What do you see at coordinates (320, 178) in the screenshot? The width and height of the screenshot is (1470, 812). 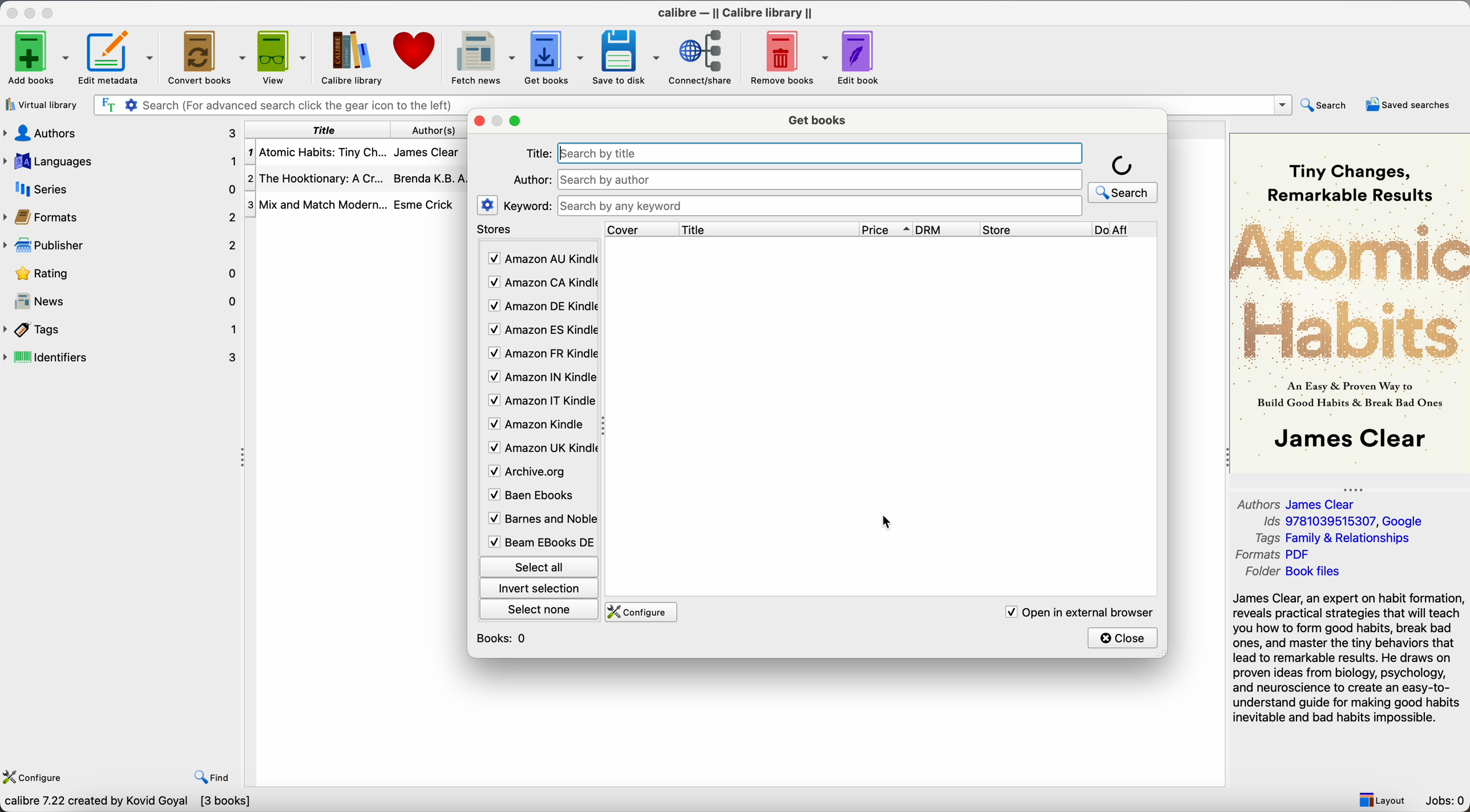 I see `The Hooktionary: A Cr...` at bounding box center [320, 178].